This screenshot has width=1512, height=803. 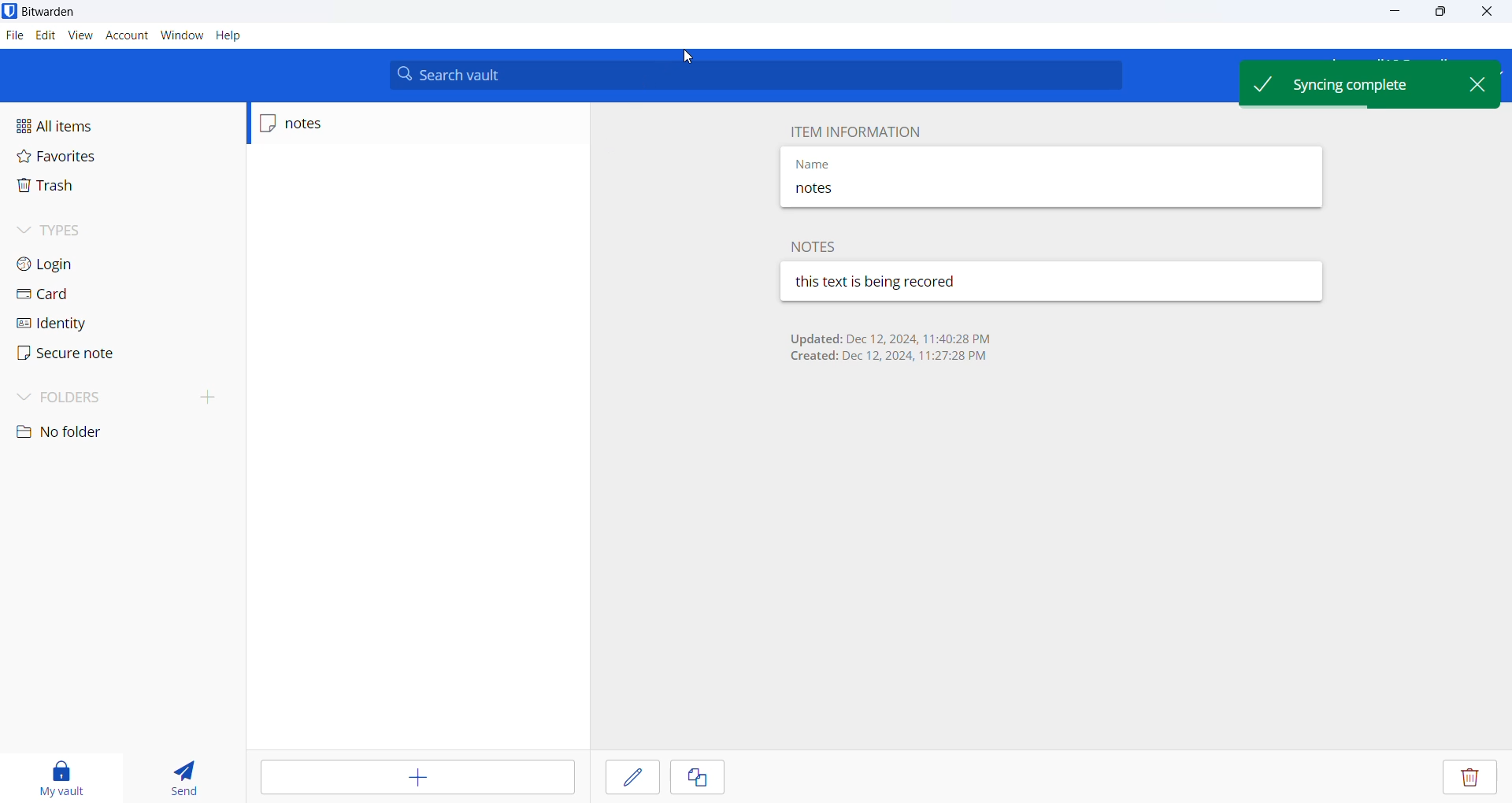 What do you see at coordinates (69, 187) in the screenshot?
I see `trash` at bounding box center [69, 187].